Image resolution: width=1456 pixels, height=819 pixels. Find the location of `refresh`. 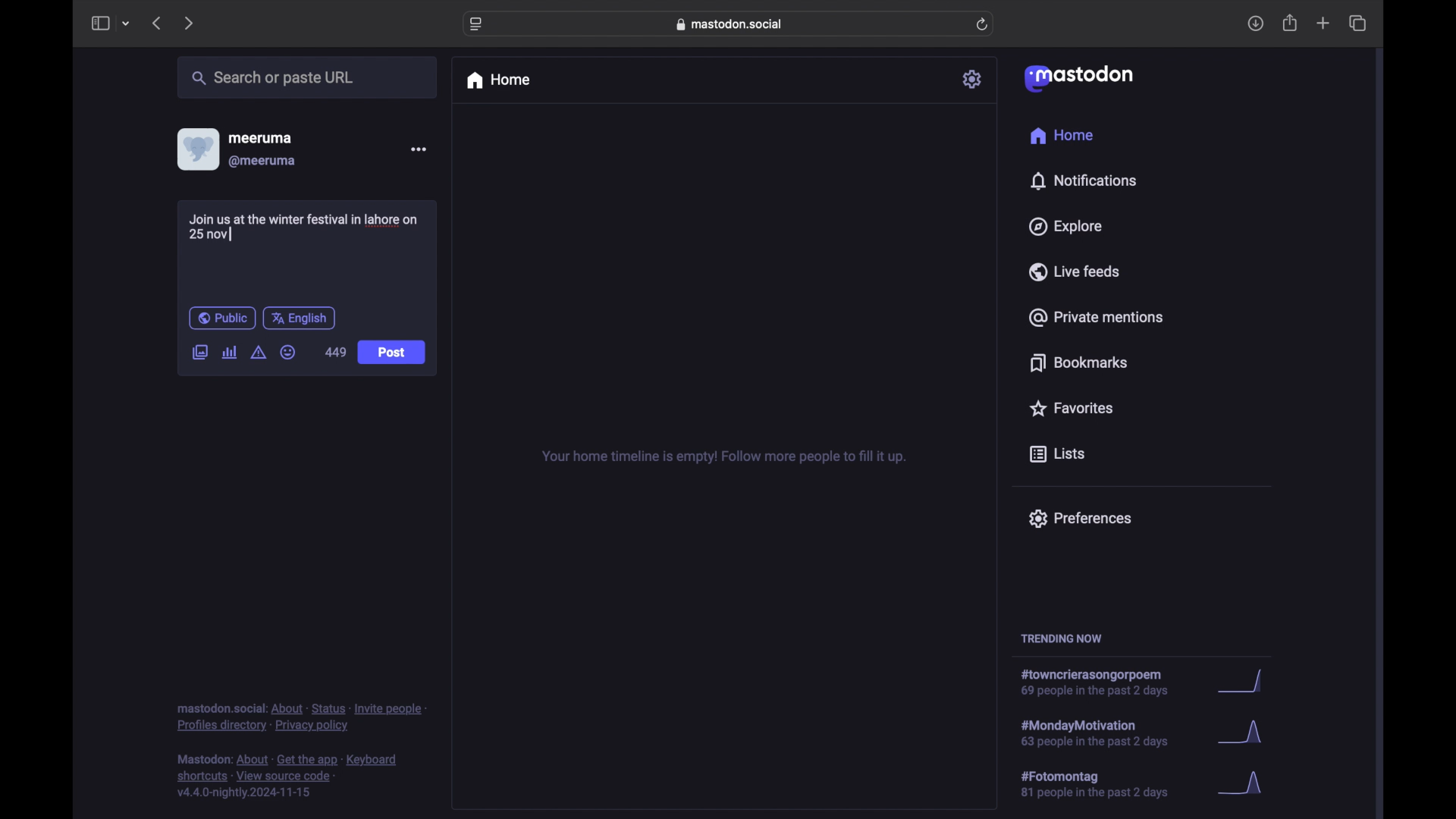

refresh is located at coordinates (984, 25).